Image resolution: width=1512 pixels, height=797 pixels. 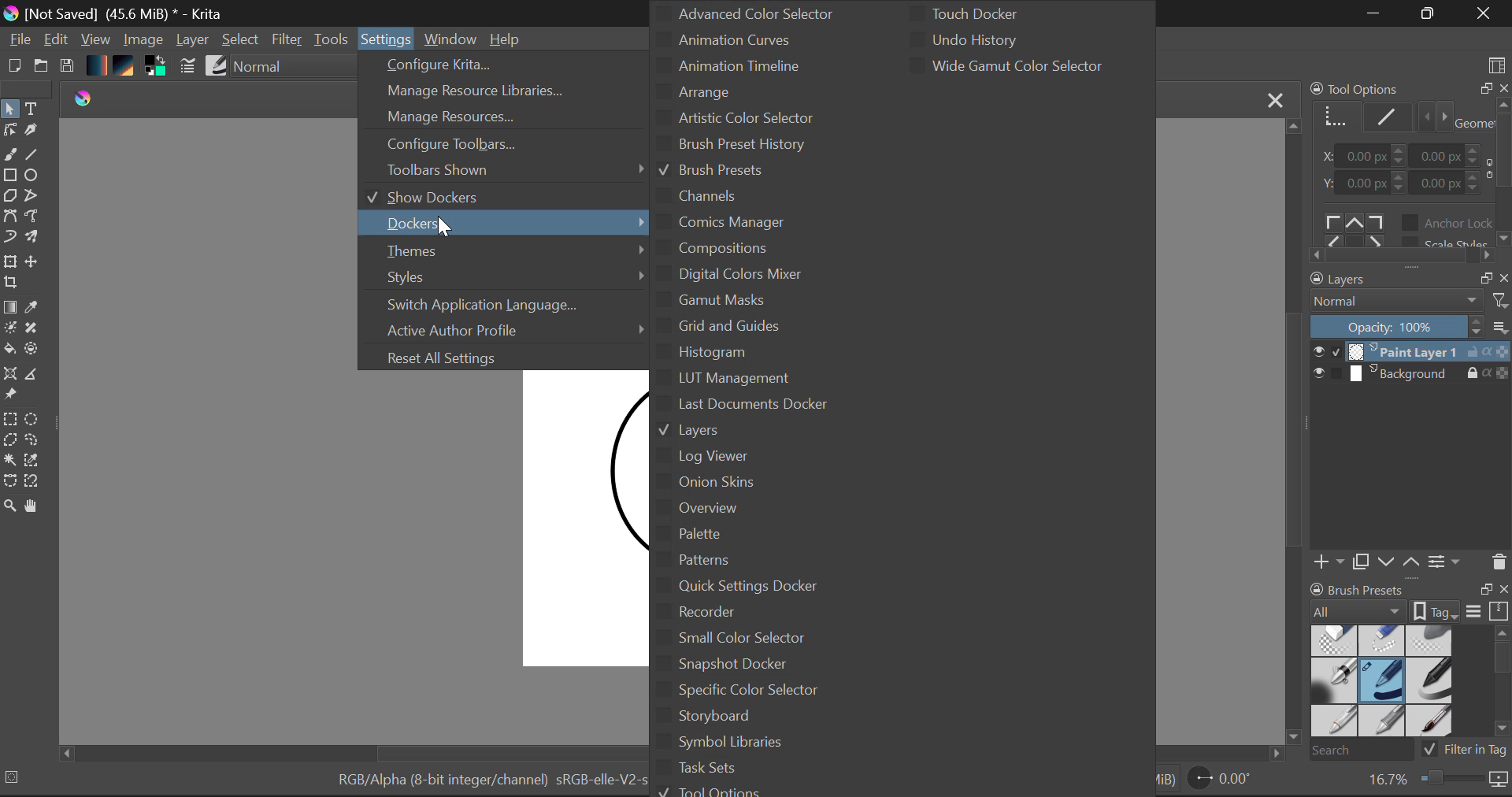 What do you see at coordinates (57, 40) in the screenshot?
I see `Edit` at bounding box center [57, 40].